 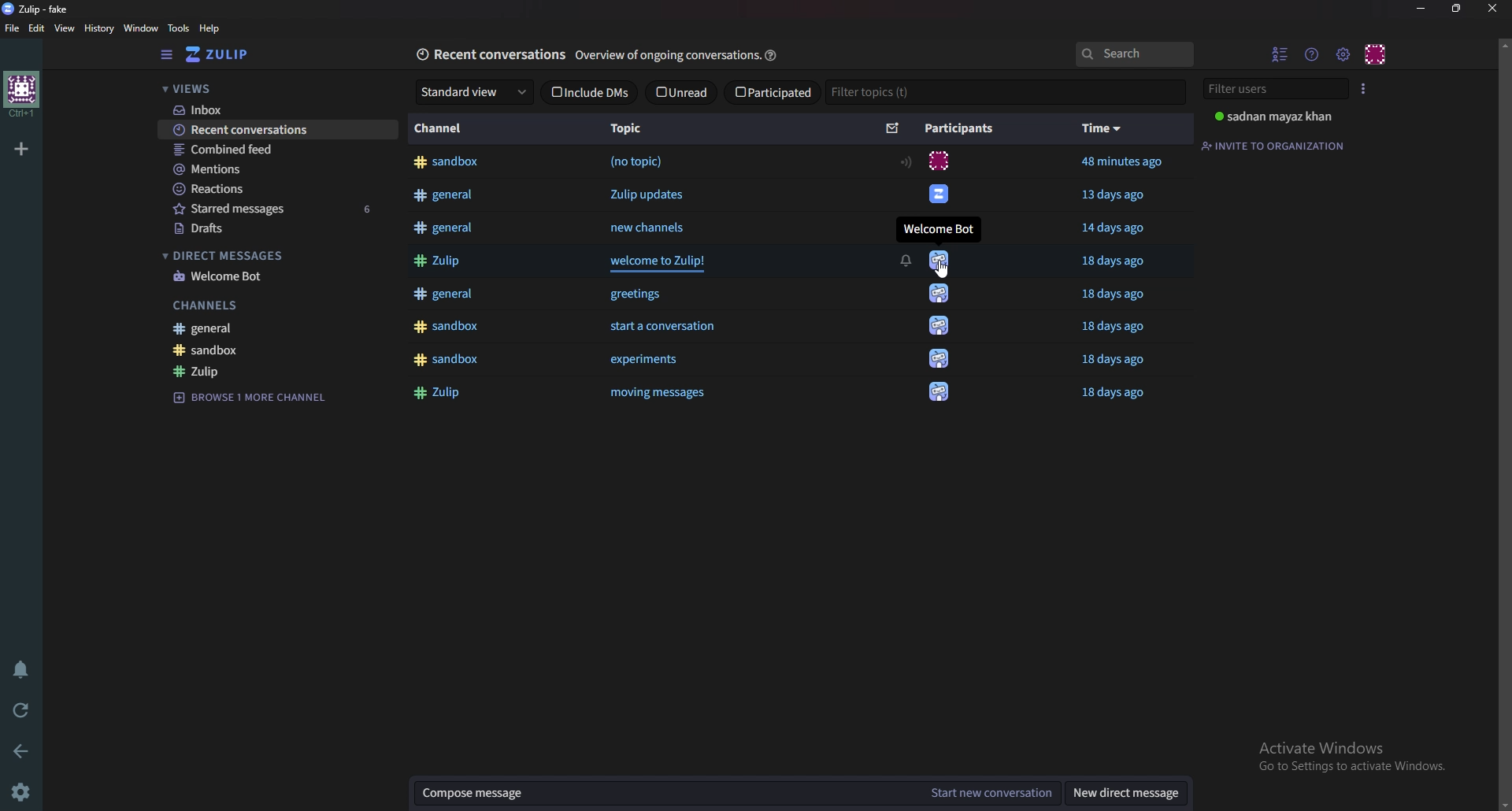 I want to click on Recent conversations, so click(x=280, y=131).